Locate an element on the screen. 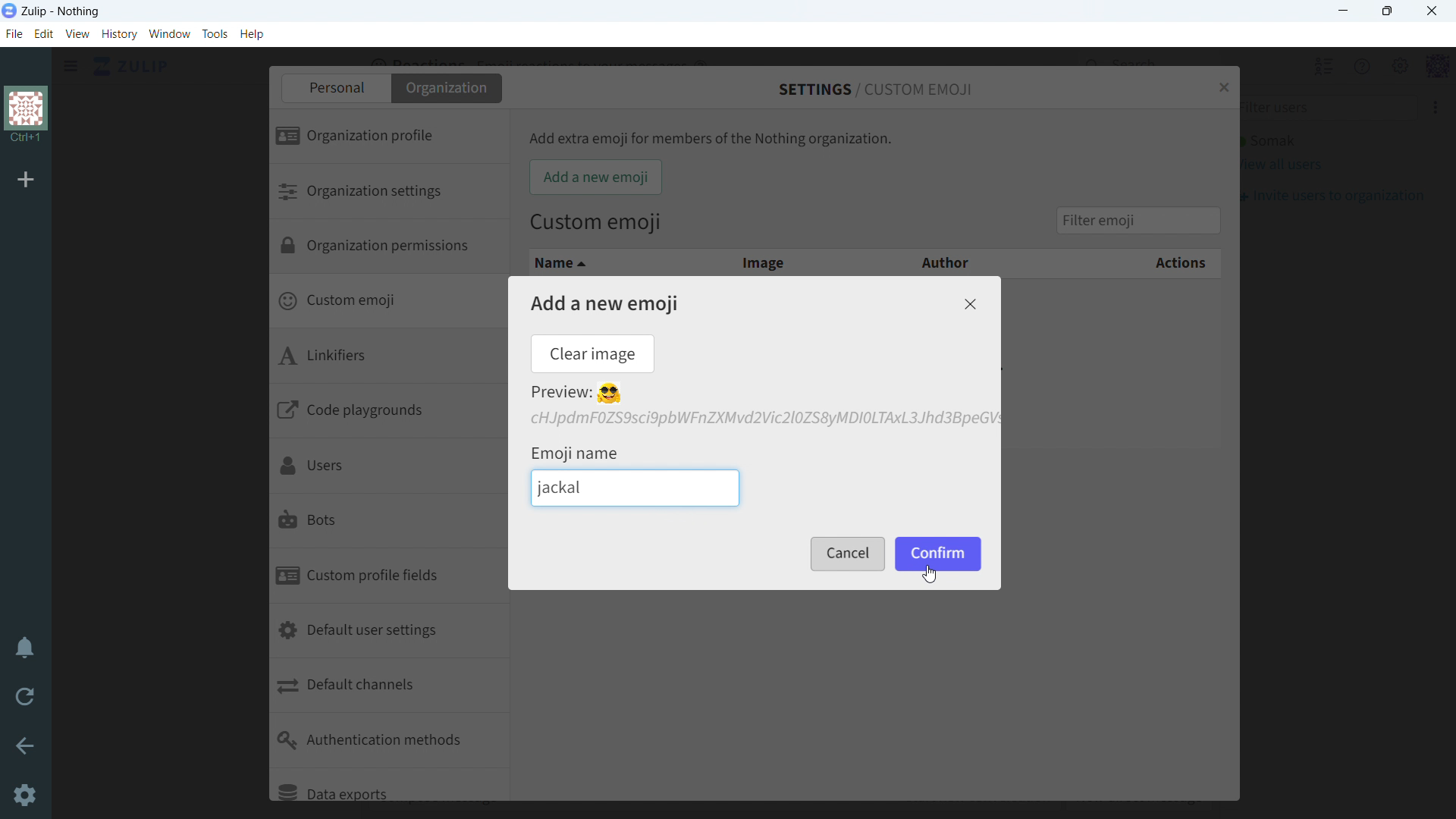 The height and width of the screenshot is (819, 1456). add a new emoji is located at coordinates (604, 303).